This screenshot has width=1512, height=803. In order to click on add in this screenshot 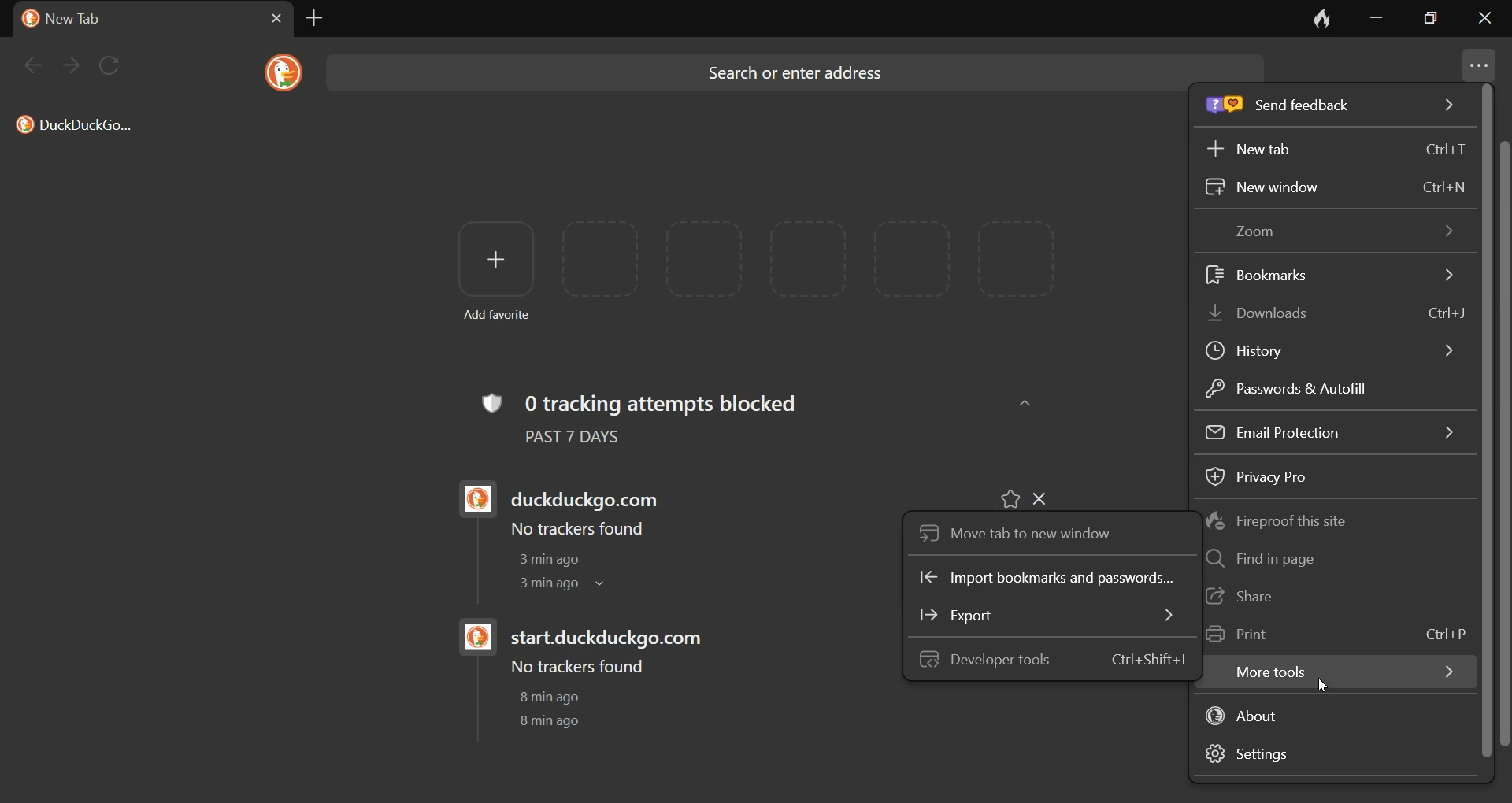, I will do `click(489, 259)`.